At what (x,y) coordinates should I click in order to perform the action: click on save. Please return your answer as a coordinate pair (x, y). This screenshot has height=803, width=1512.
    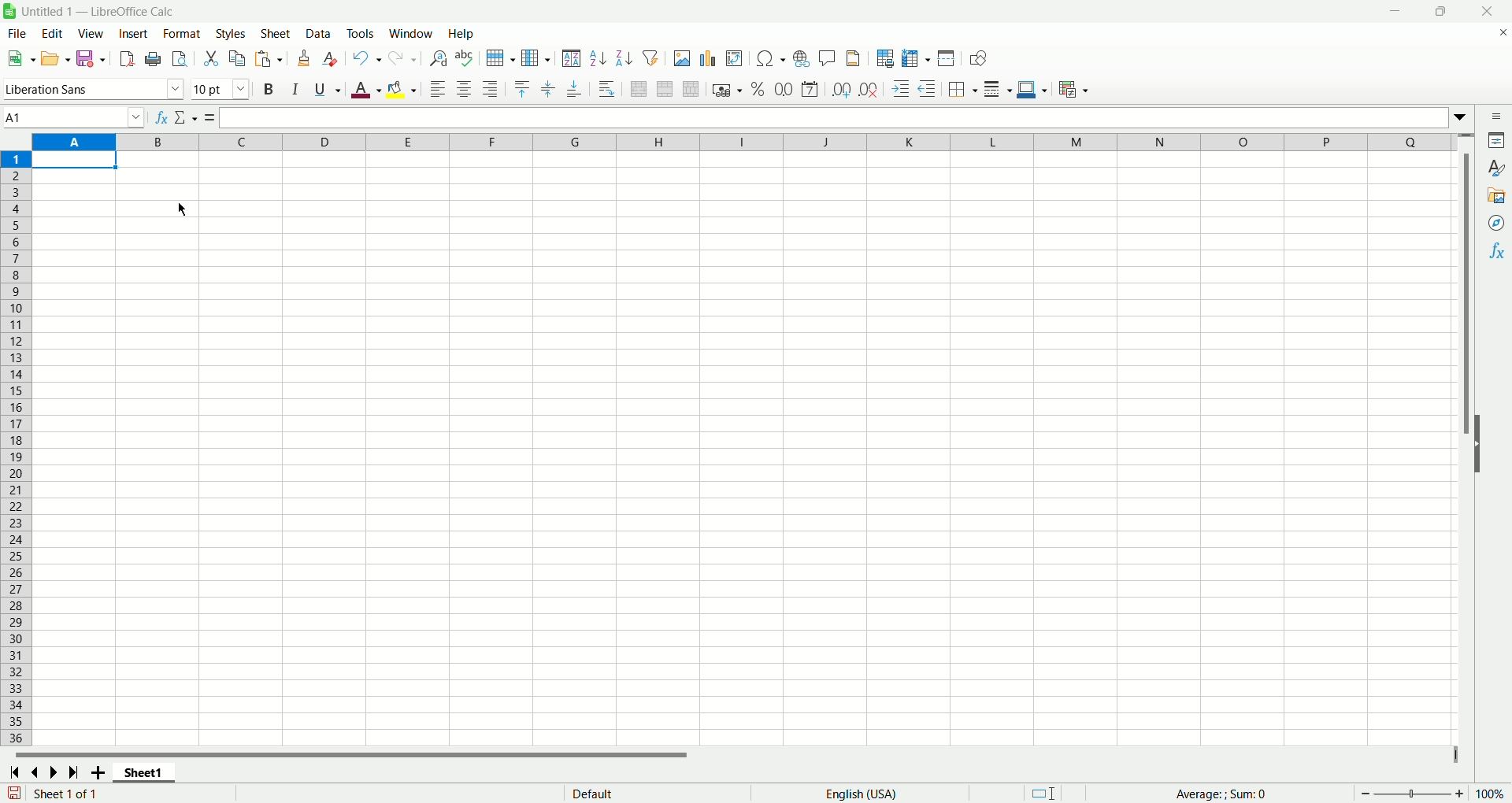
    Looking at the image, I should click on (14, 1967).